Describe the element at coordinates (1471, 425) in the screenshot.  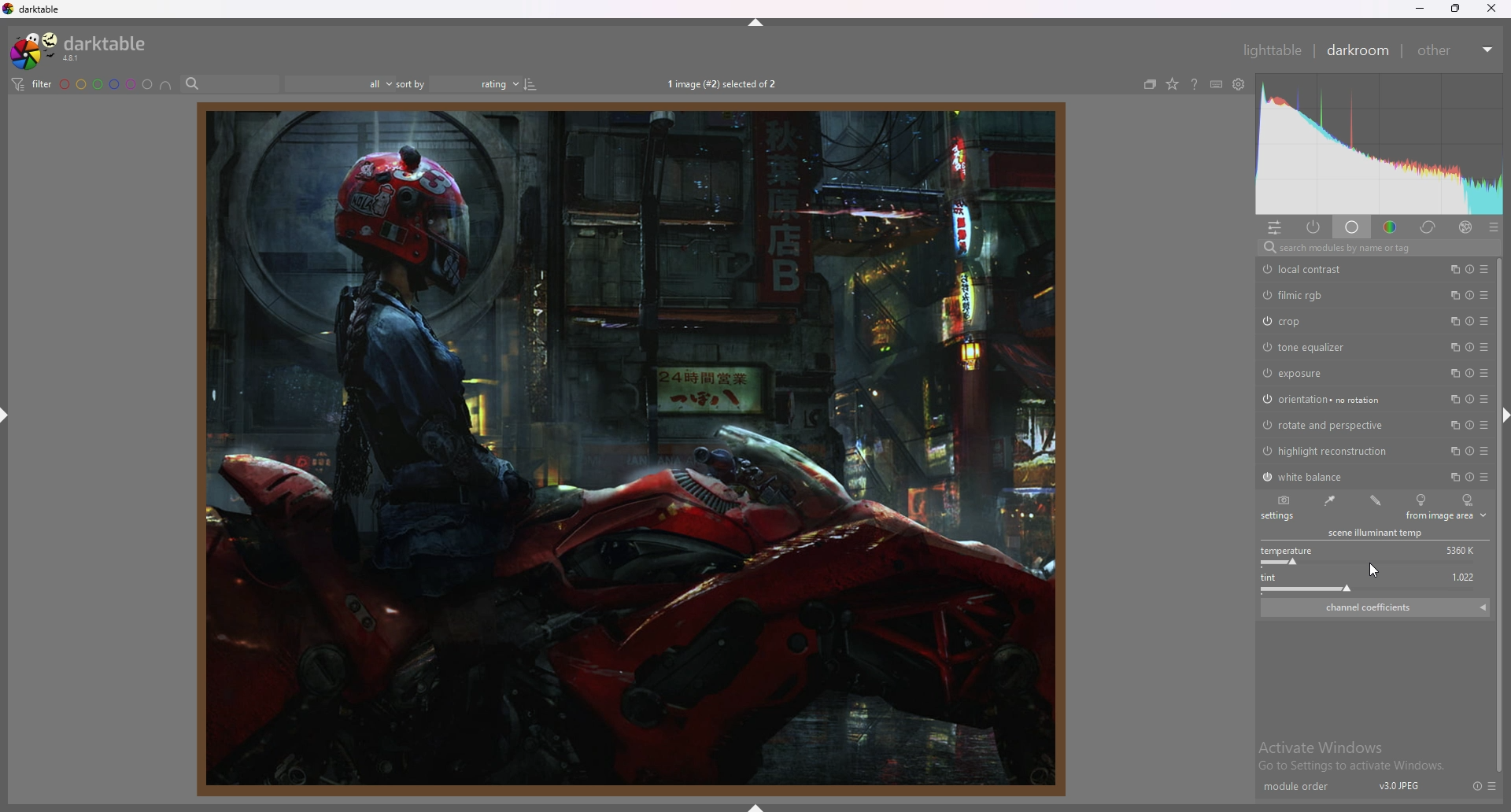
I see `reset` at that location.